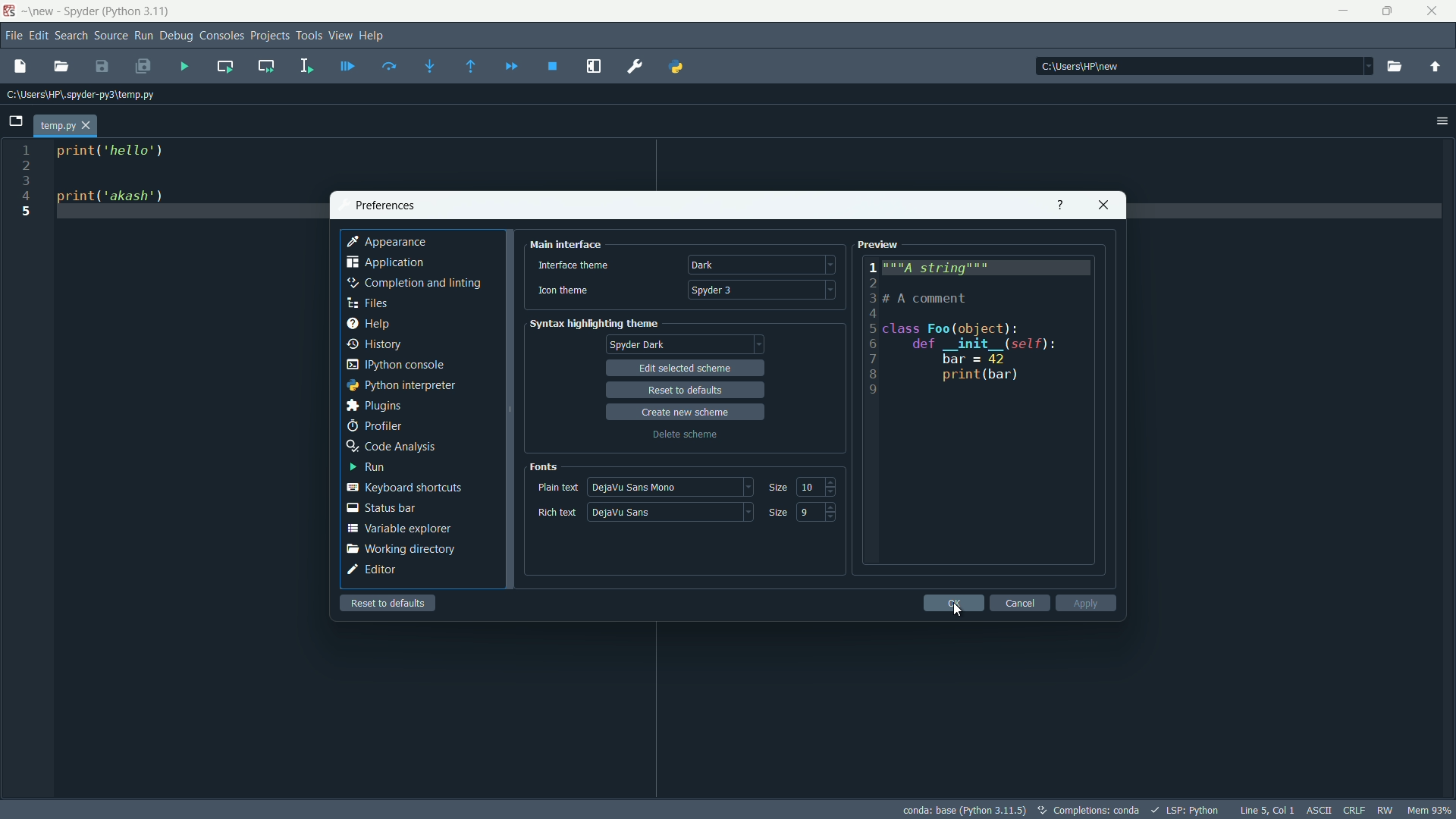  I want to click on interface theme, so click(573, 266).